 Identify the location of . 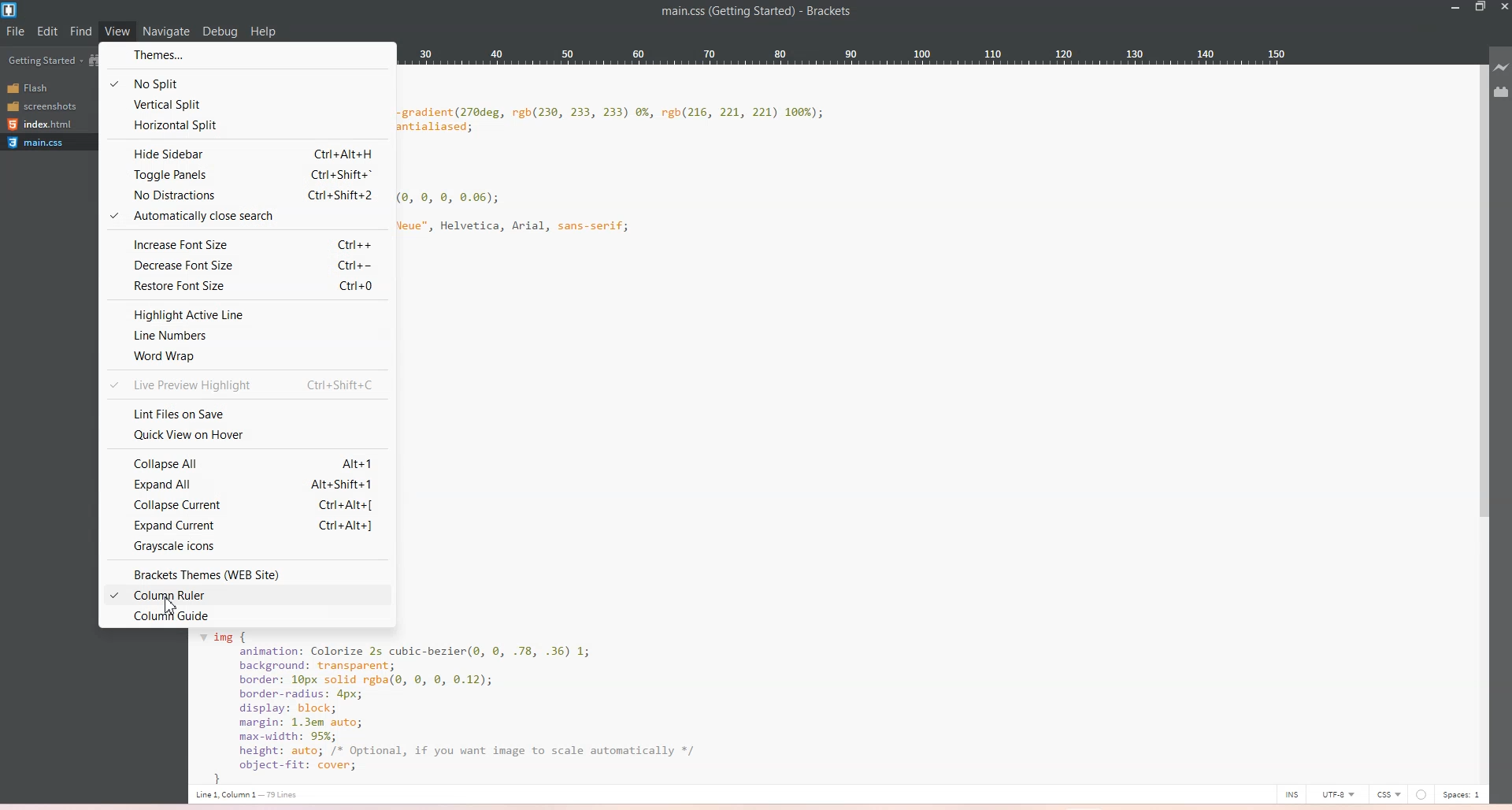
(581, 1133).